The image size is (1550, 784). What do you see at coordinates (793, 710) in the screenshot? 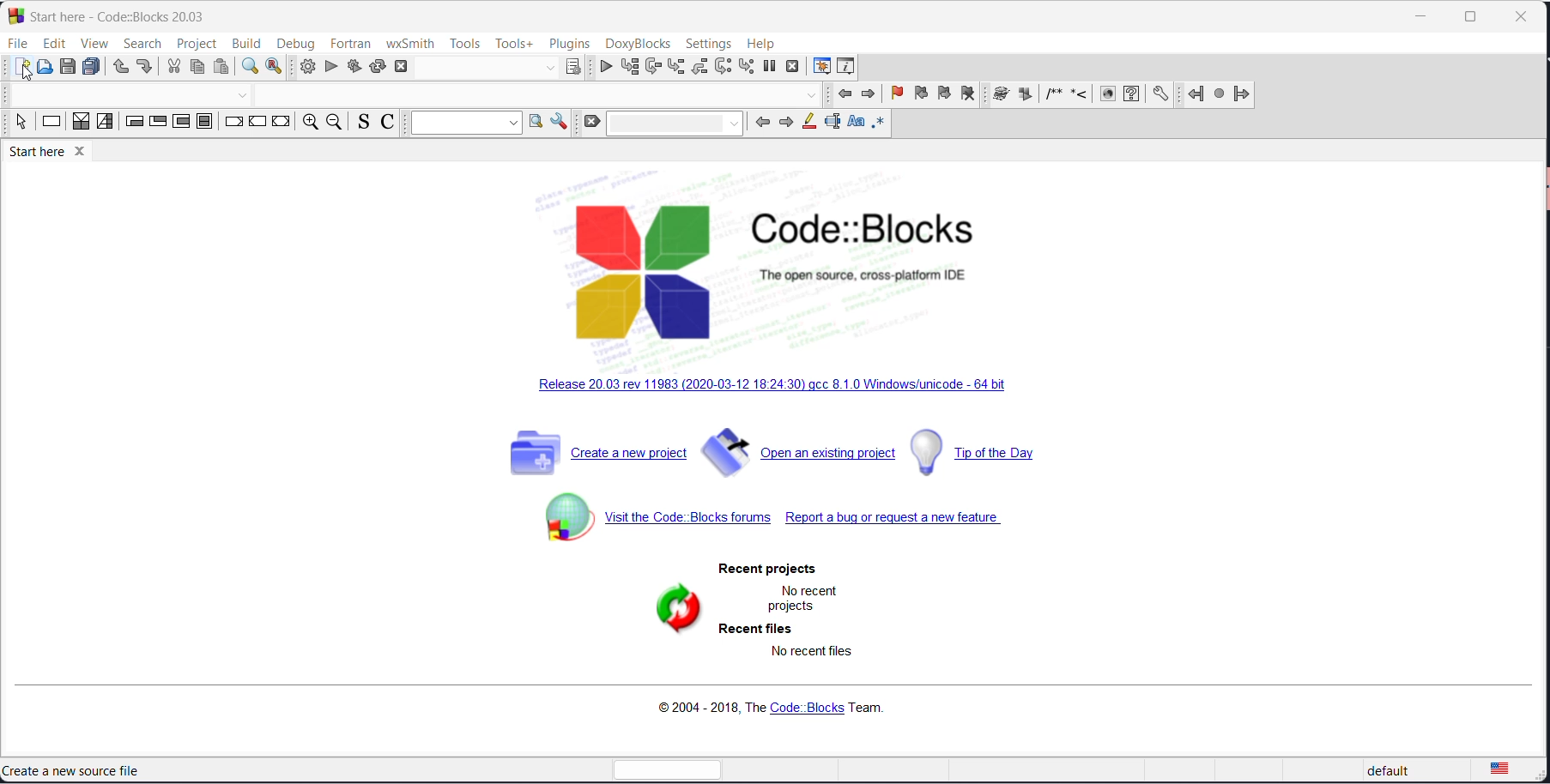
I see `©2004 - 2018, The Code: Blocks Team` at bounding box center [793, 710].